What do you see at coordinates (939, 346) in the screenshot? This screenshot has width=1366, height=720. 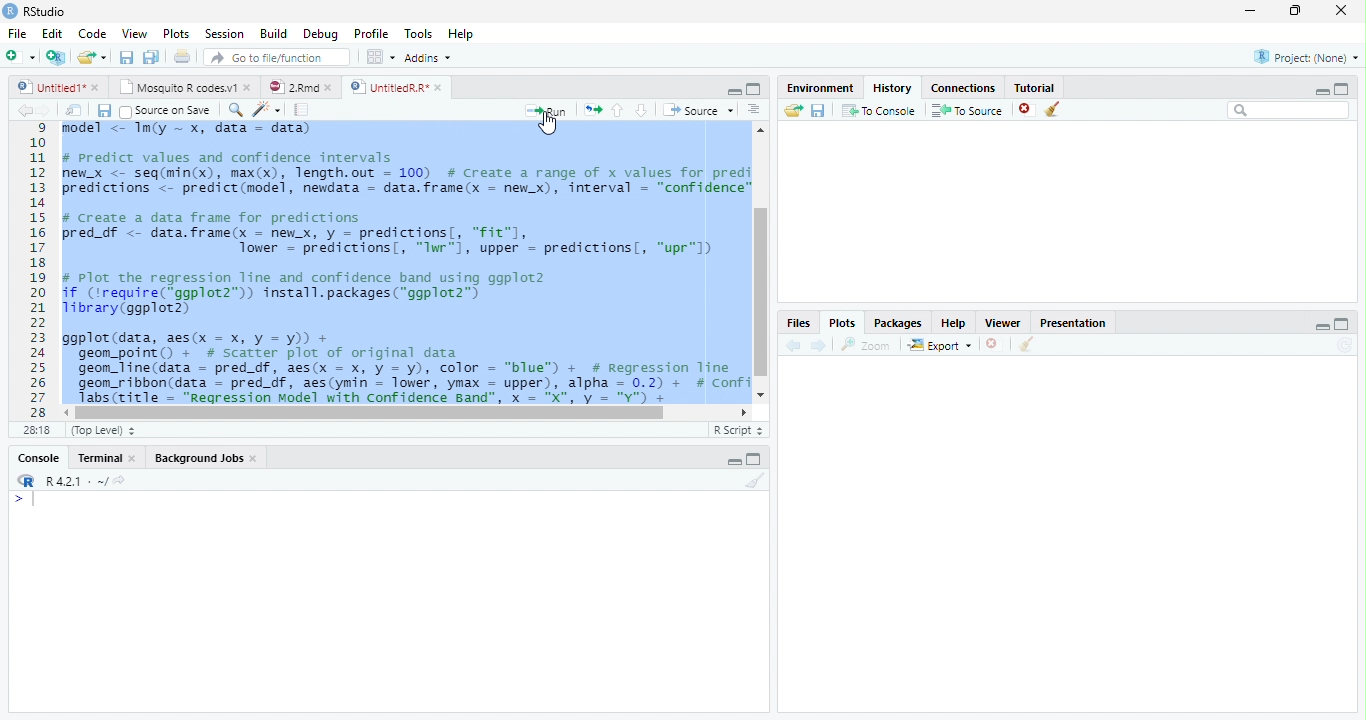 I see `Export` at bounding box center [939, 346].